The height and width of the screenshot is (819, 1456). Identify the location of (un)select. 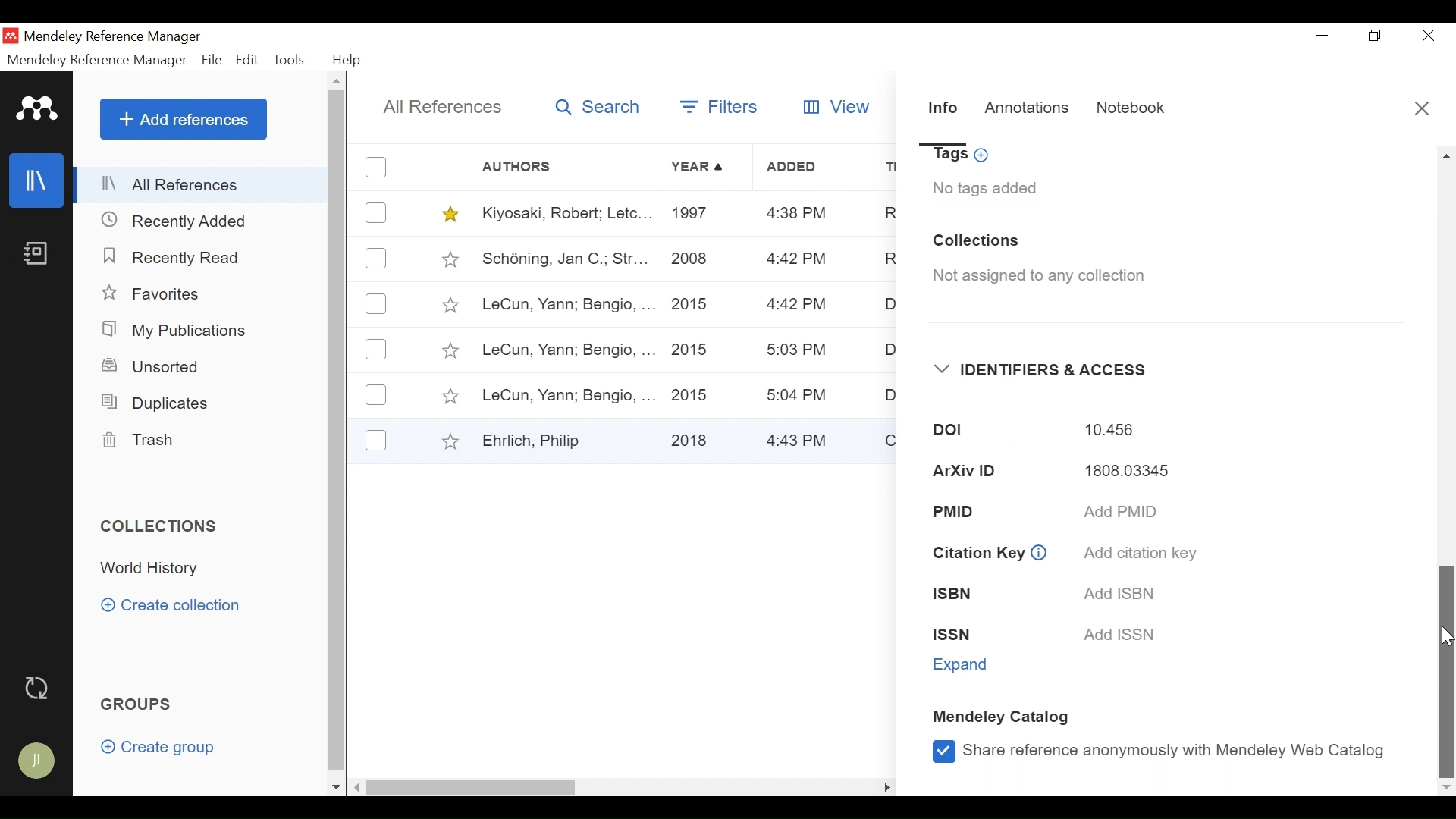
(376, 440).